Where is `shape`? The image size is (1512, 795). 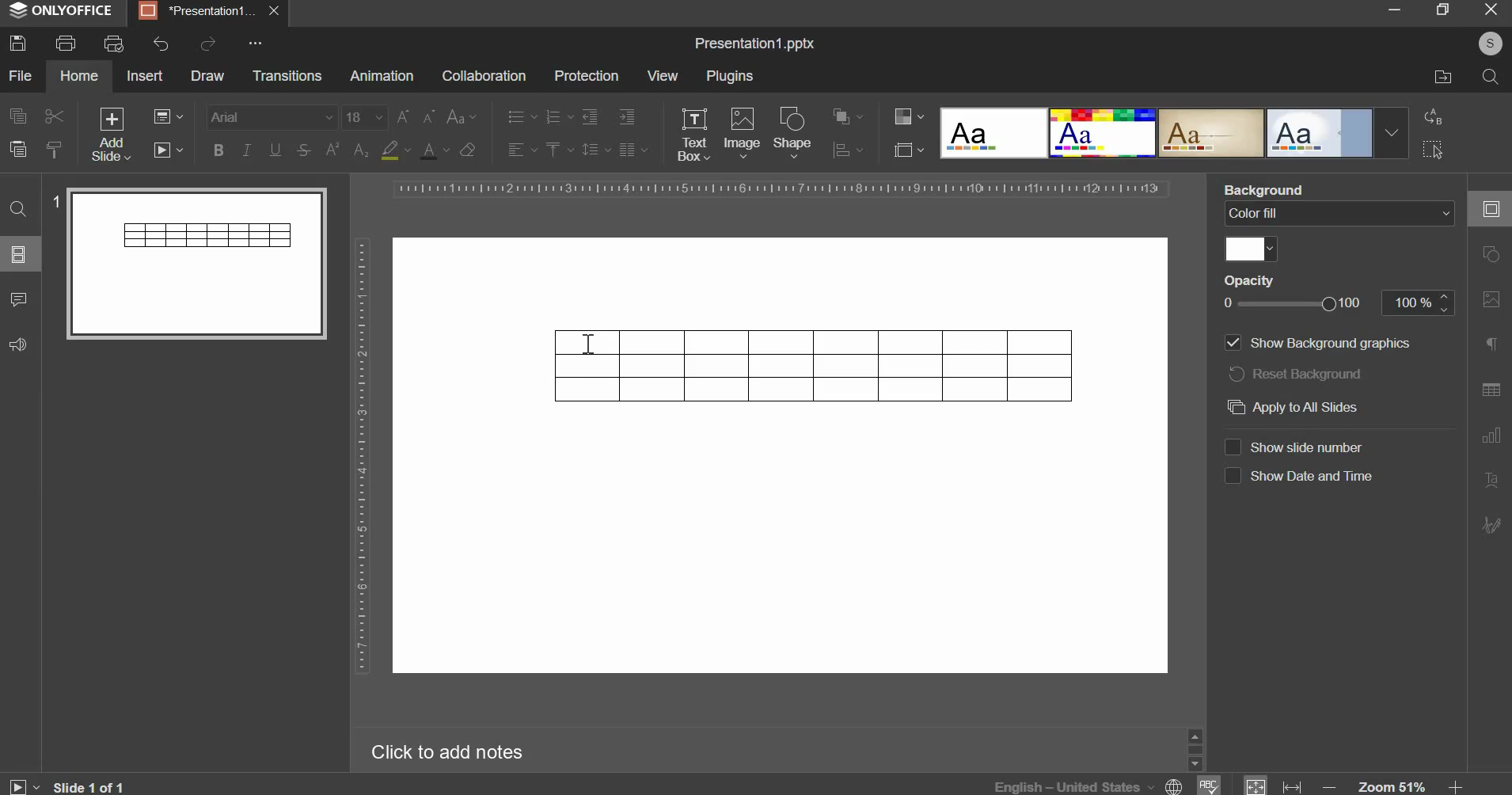 shape is located at coordinates (794, 132).